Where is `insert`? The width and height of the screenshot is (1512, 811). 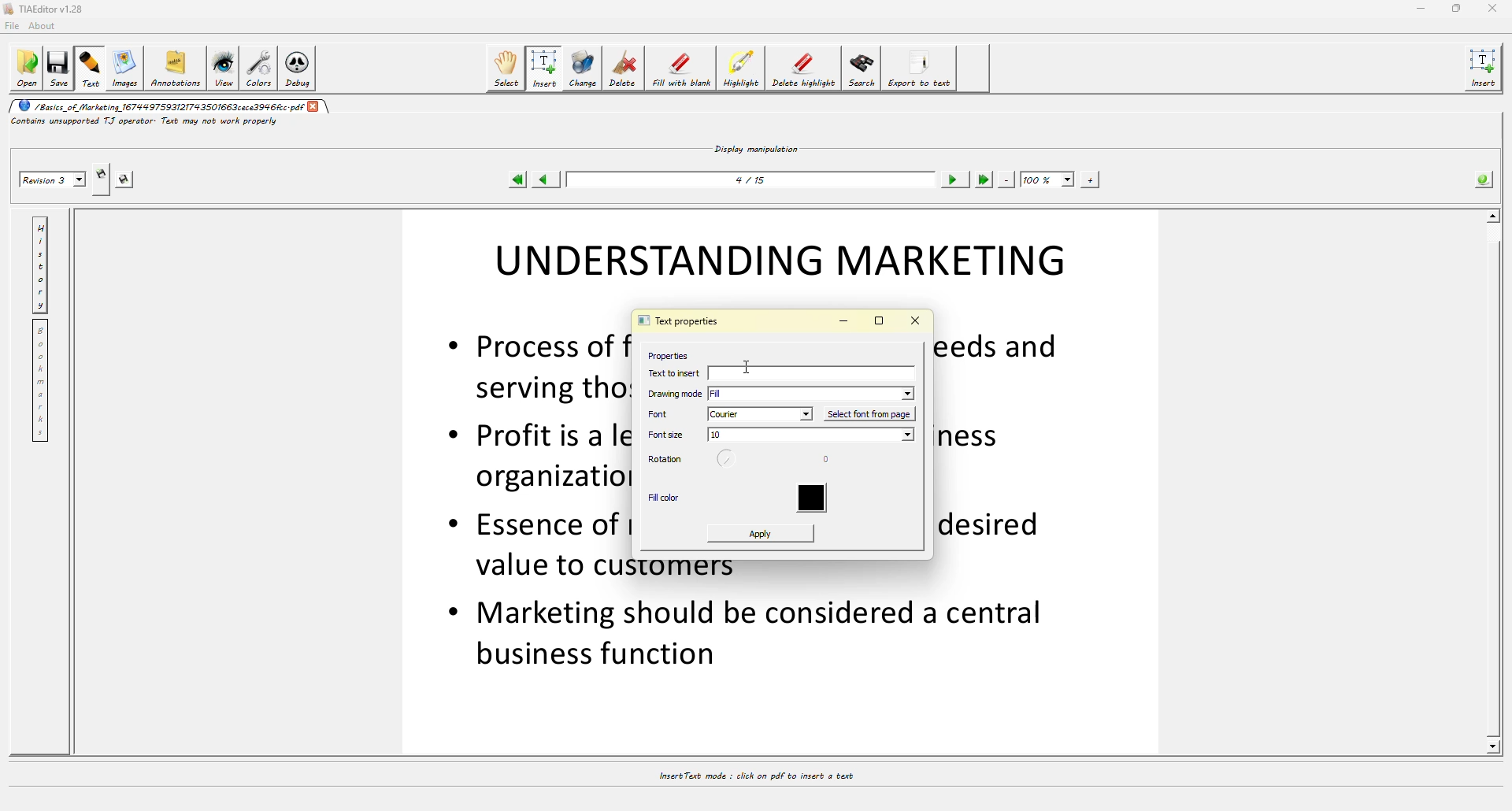 insert is located at coordinates (1485, 69).